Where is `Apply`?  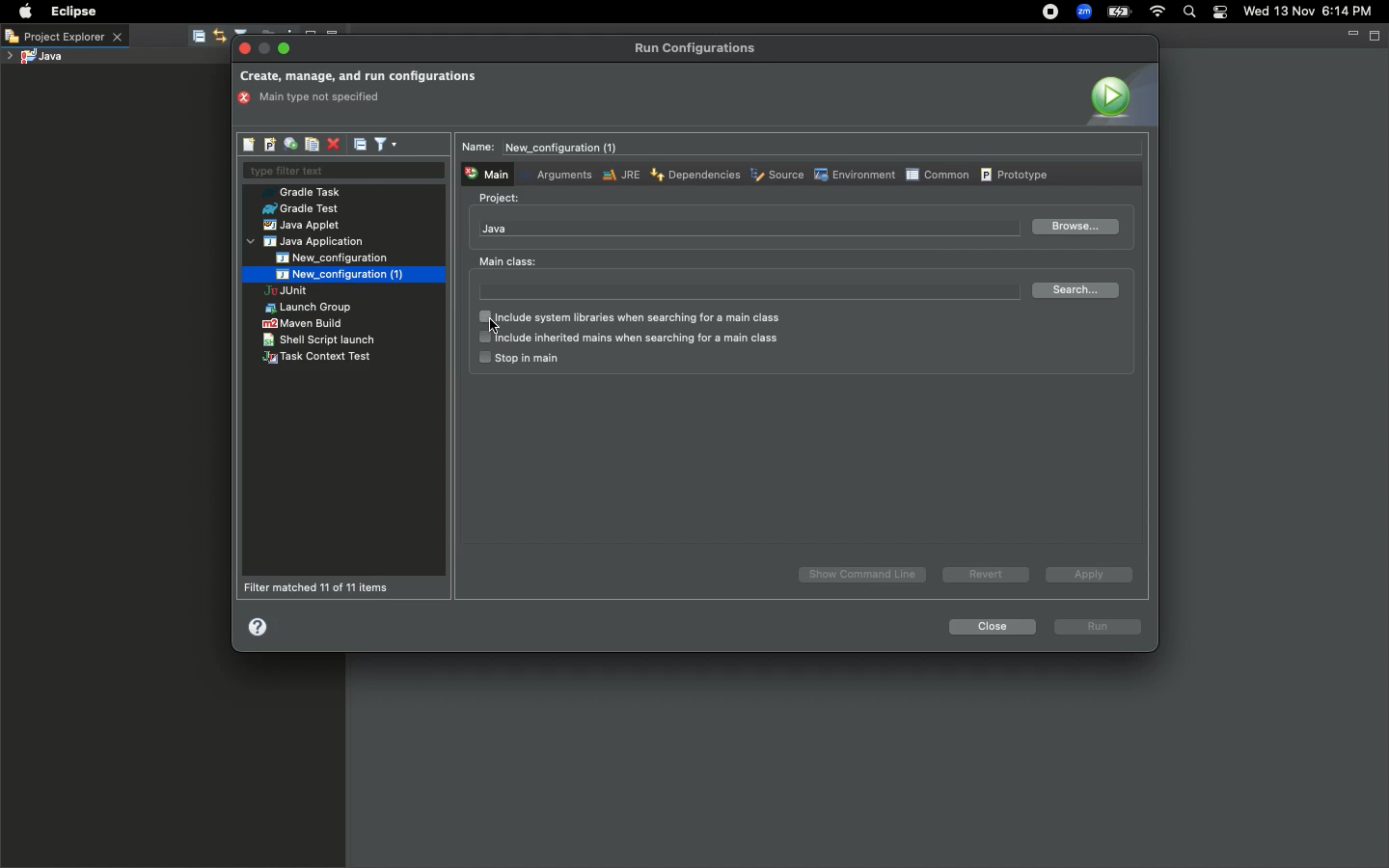 Apply is located at coordinates (1085, 574).